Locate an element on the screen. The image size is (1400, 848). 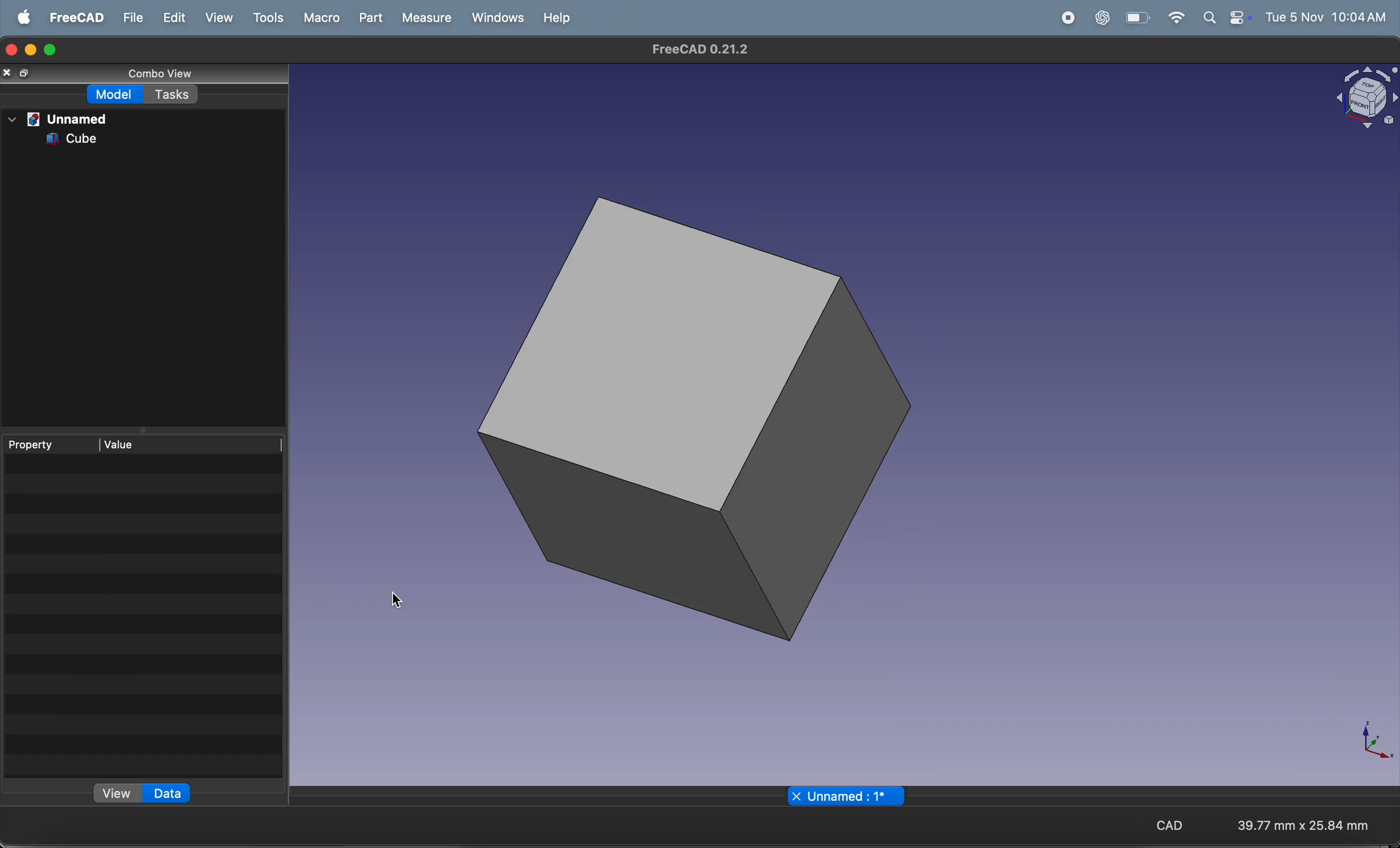
apple widgets is located at coordinates (1211, 17).